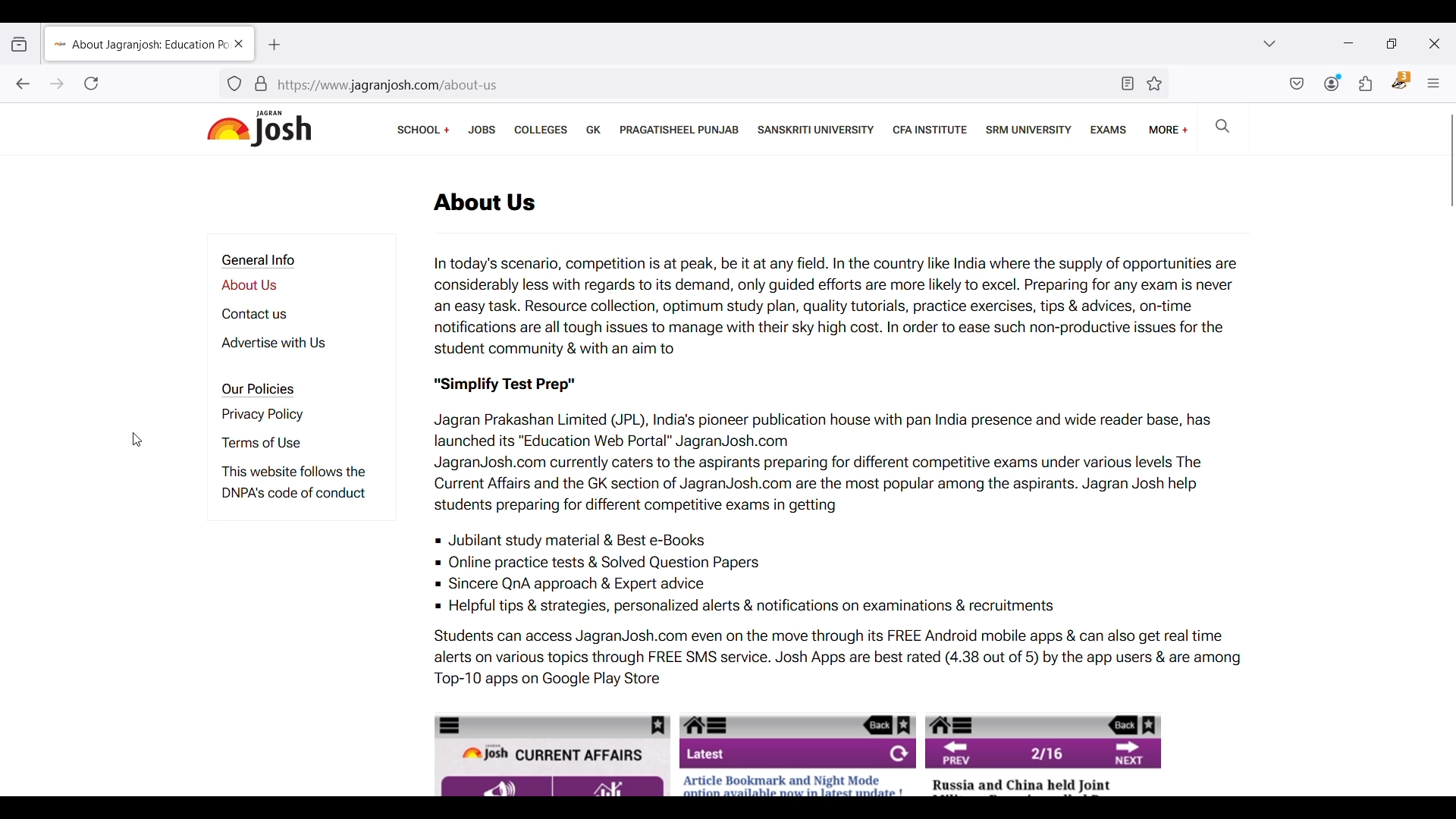  I want to click on GK , so click(596, 127).